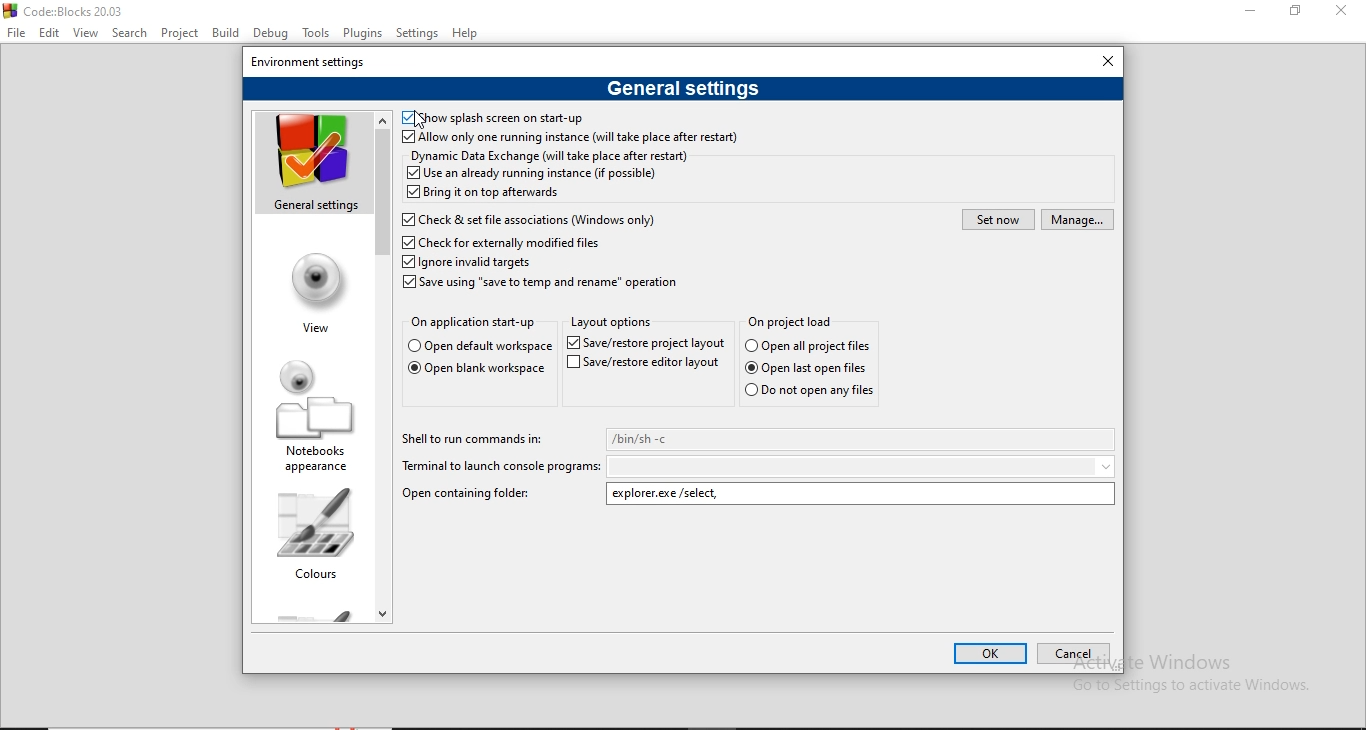 The image size is (1366, 730). Describe the element at coordinates (809, 367) in the screenshot. I see `Open last open files` at that location.